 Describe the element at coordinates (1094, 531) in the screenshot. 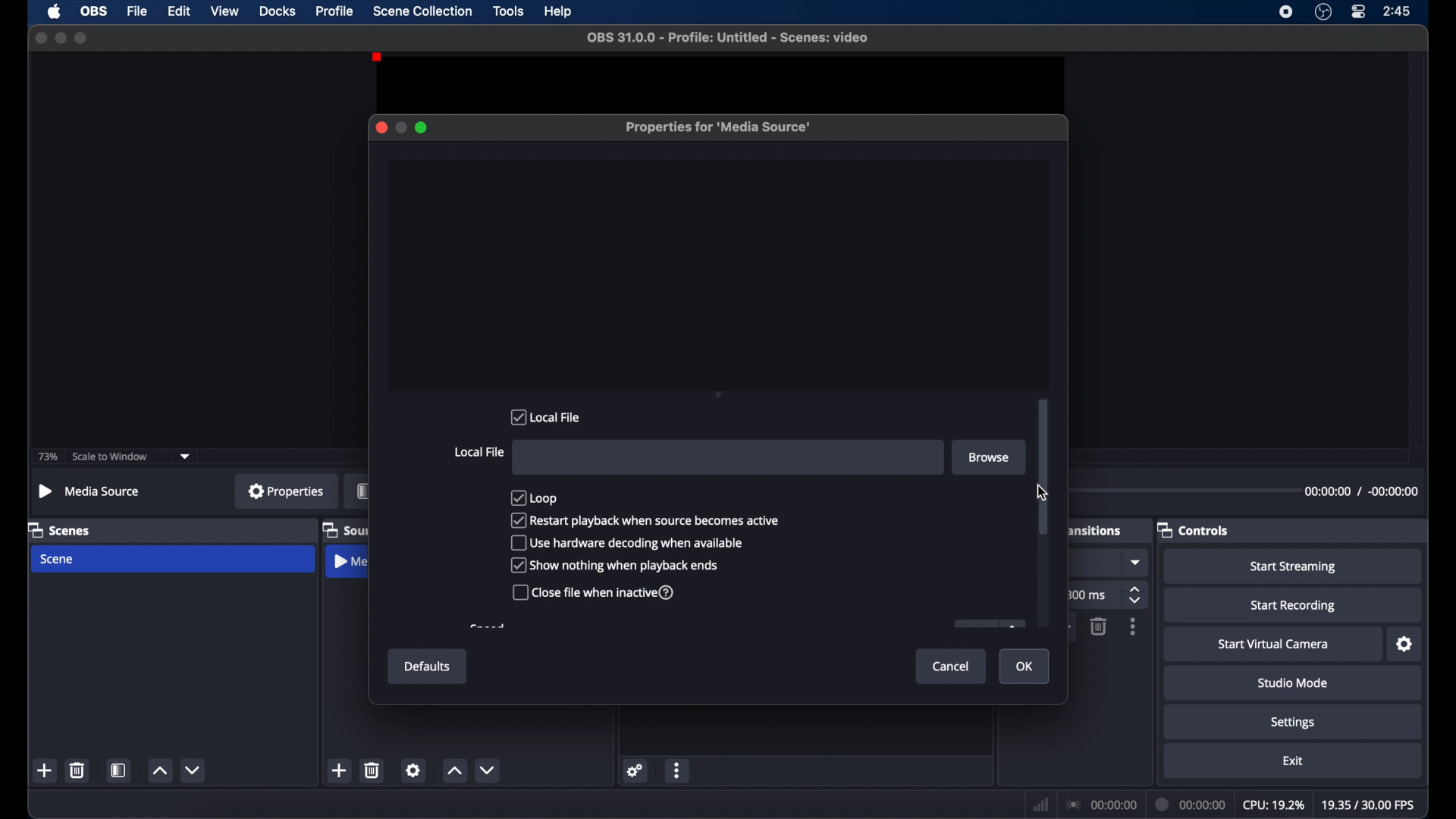

I see `transitions` at that location.